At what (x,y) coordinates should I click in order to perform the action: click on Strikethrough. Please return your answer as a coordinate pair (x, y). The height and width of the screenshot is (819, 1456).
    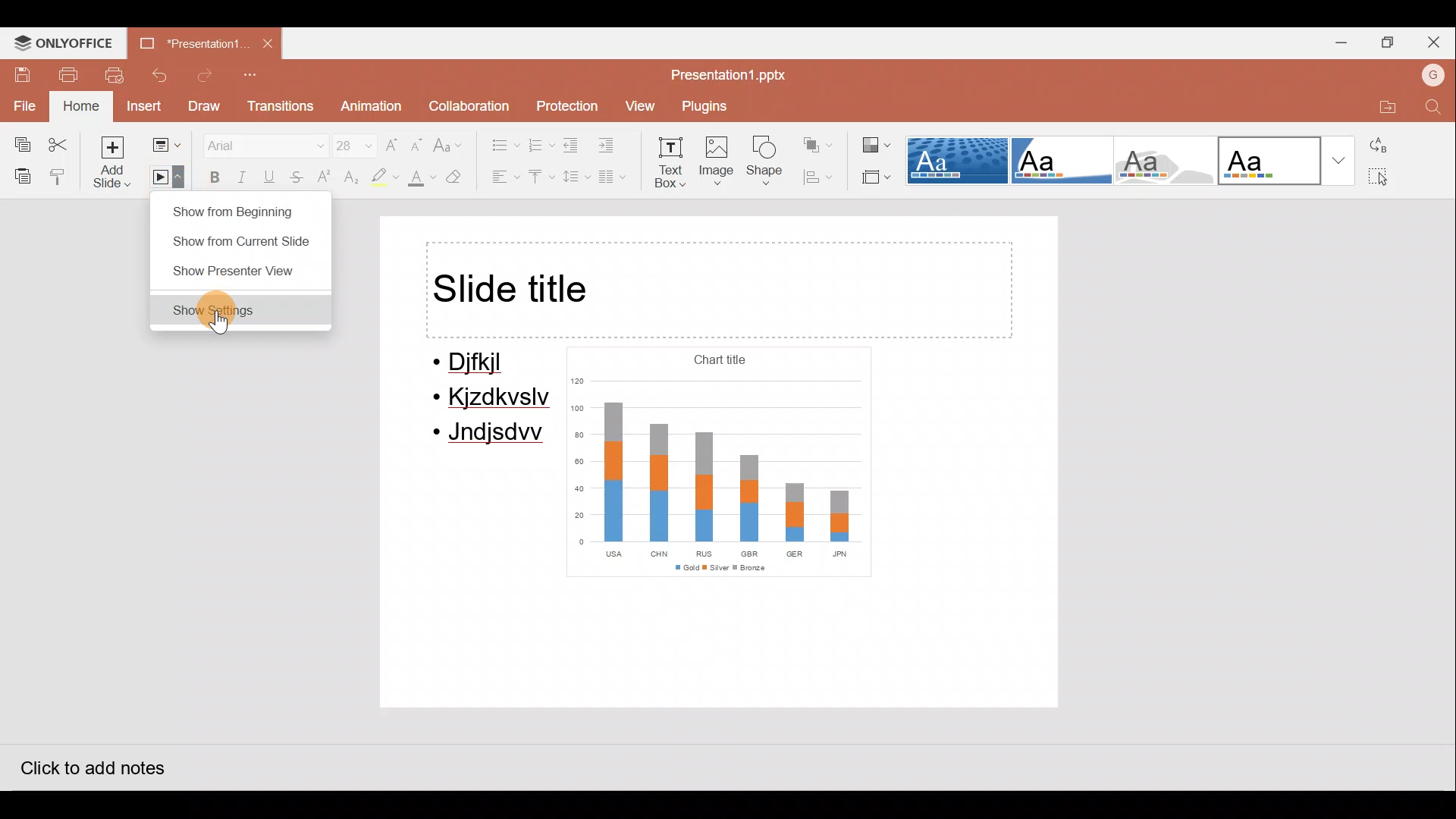
    Looking at the image, I should click on (293, 177).